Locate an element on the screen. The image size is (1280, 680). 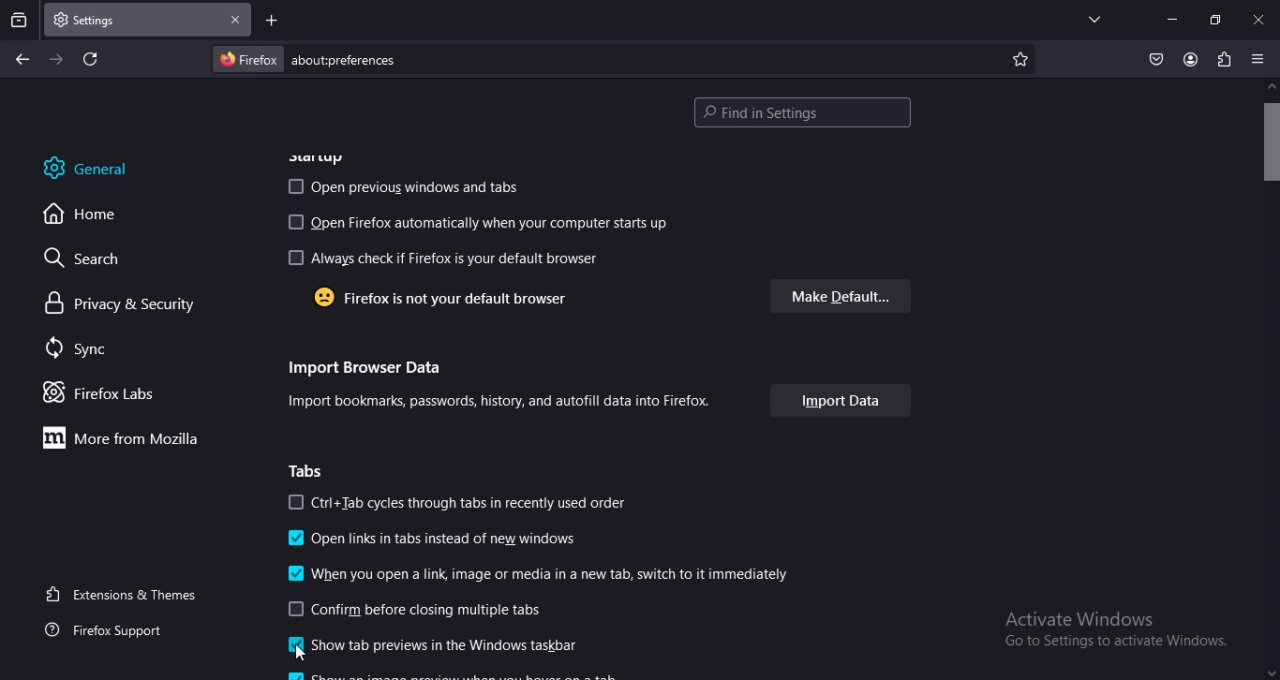
show previous in the windows taskbar is located at coordinates (438, 646).